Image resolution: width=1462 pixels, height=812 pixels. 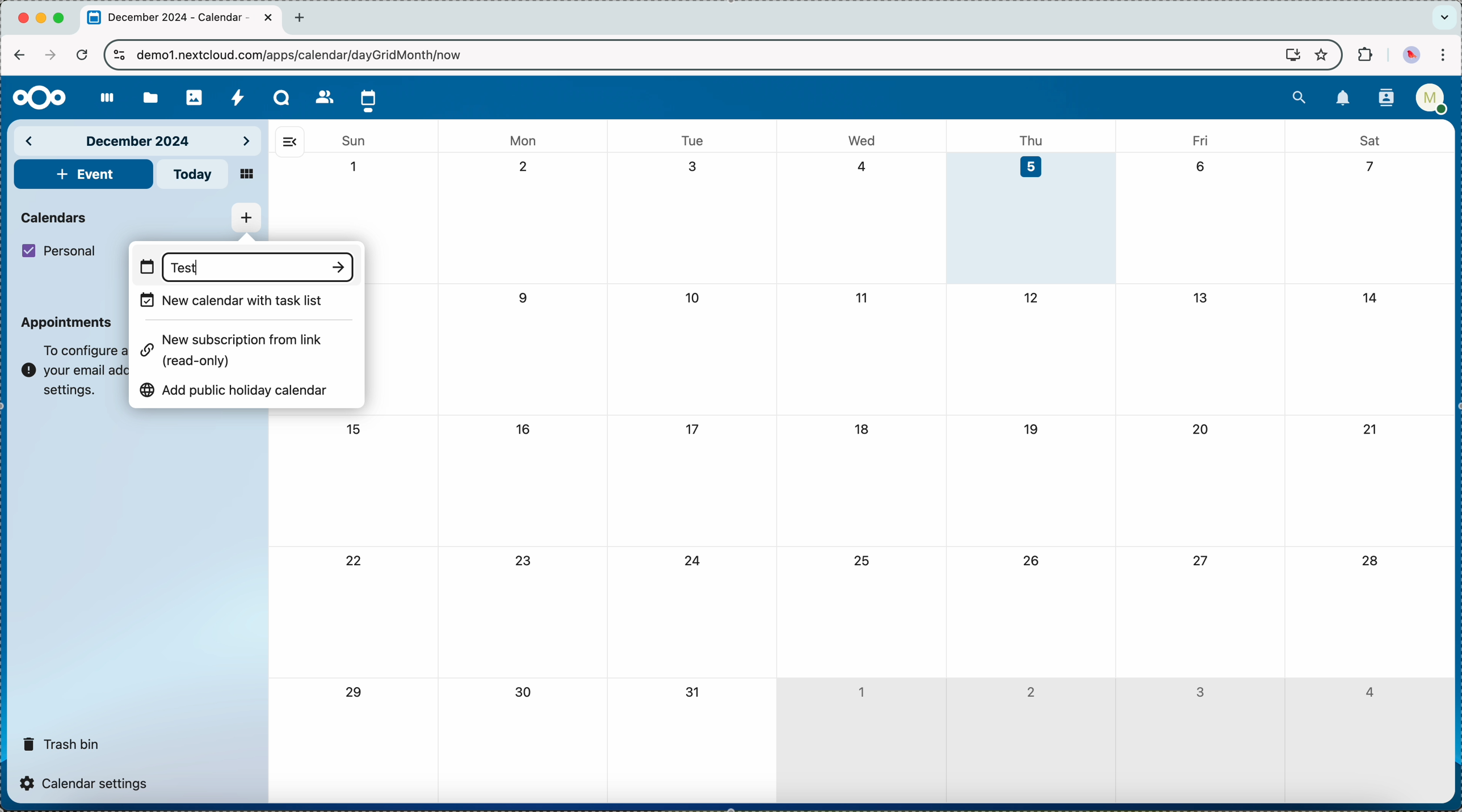 I want to click on 23, so click(x=526, y=560).